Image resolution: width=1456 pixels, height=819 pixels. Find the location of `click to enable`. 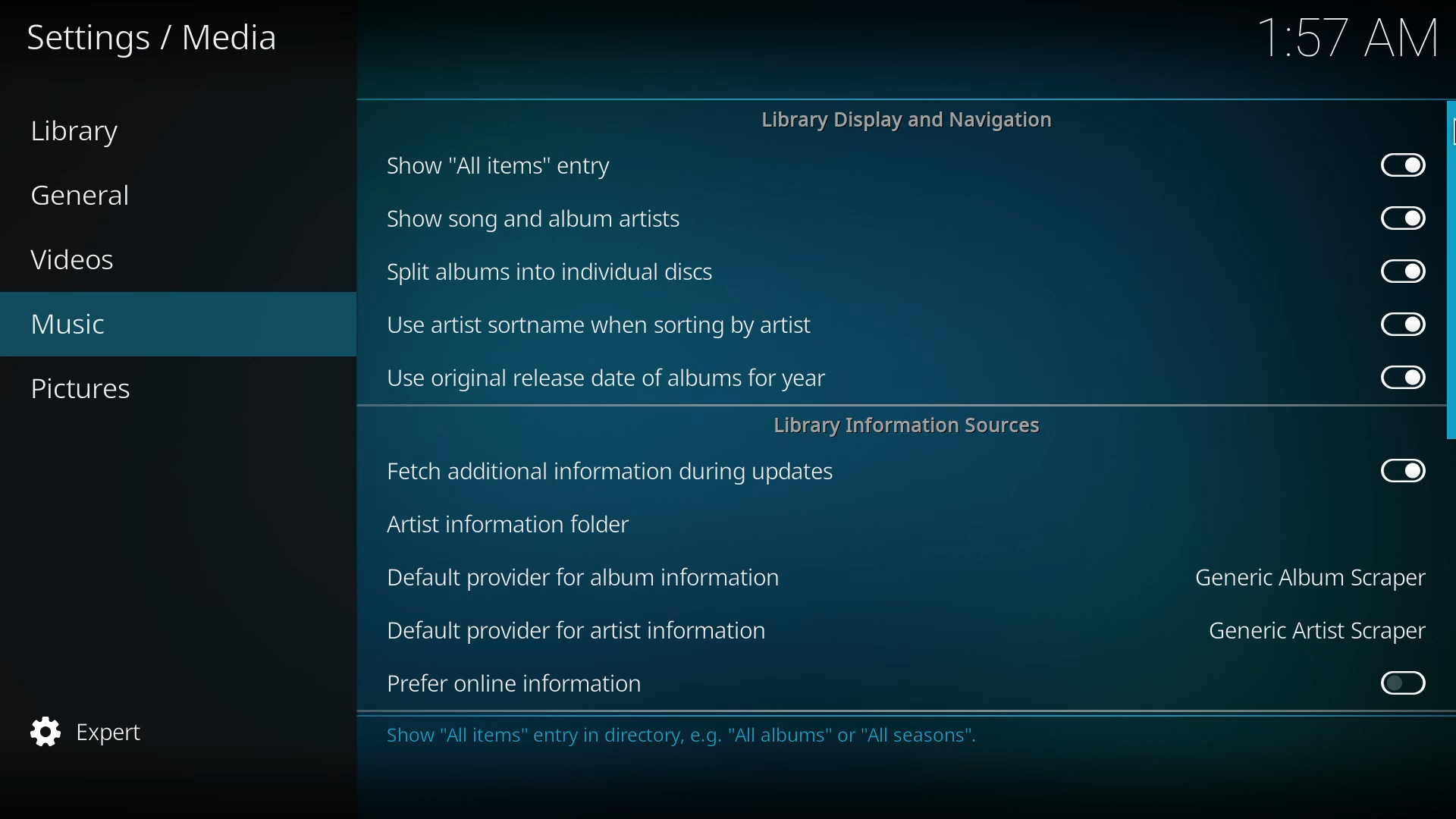

click to enable is located at coordinates (1397, 684).